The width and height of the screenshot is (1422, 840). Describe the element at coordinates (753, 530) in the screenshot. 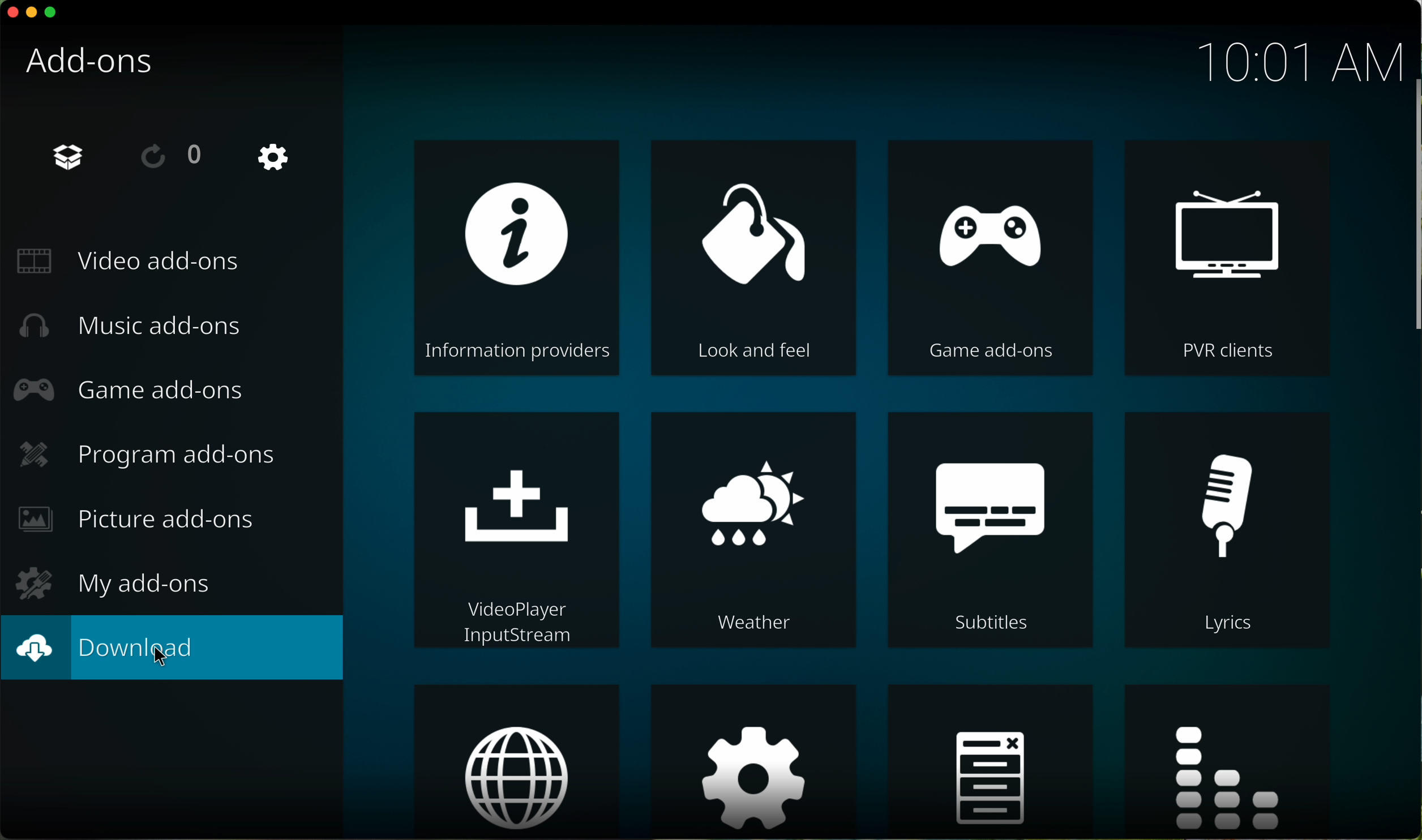

I see `weather` at that location.